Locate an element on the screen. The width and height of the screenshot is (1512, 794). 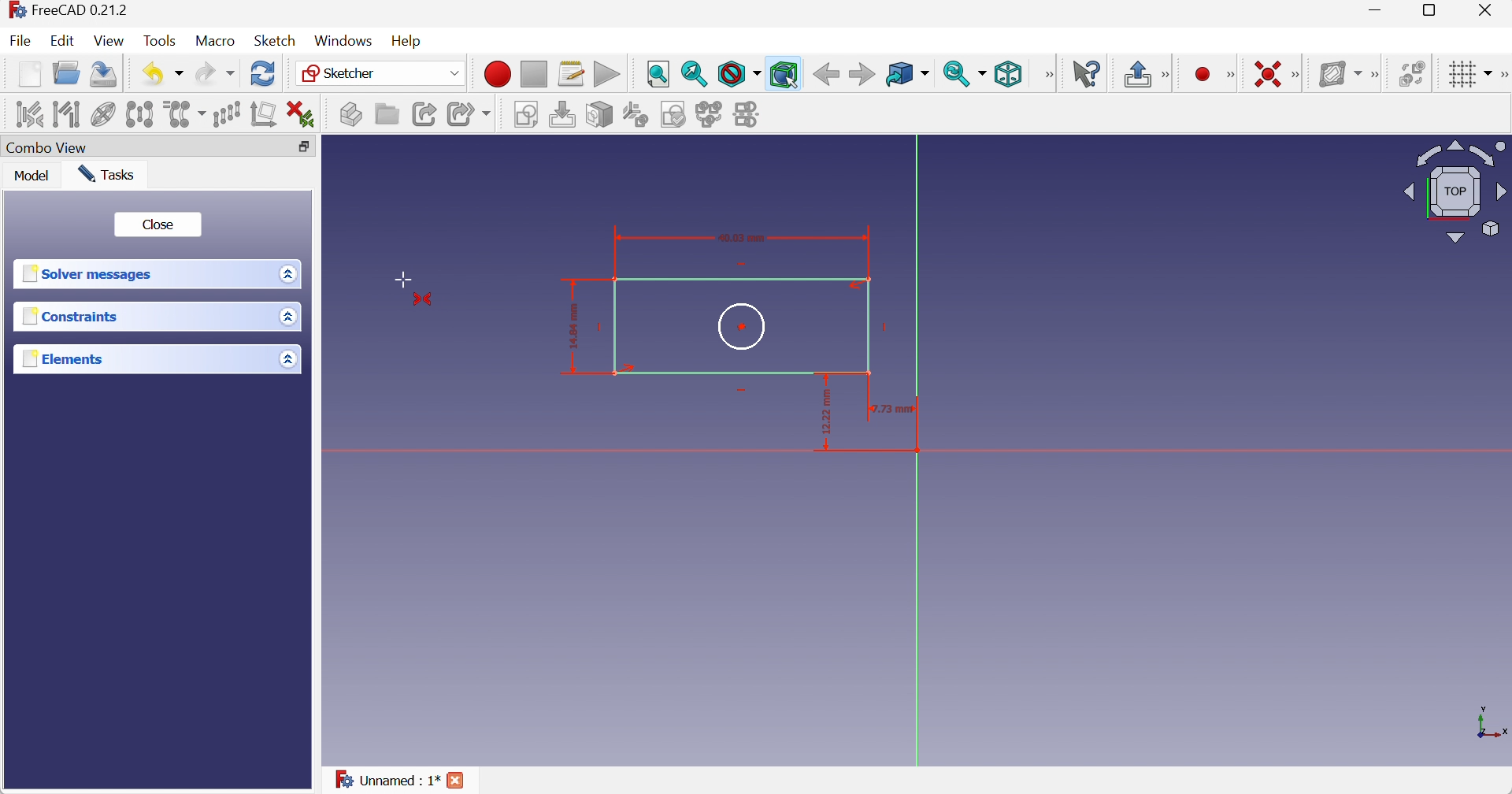
Draw style is located at coordinates (739, 74).